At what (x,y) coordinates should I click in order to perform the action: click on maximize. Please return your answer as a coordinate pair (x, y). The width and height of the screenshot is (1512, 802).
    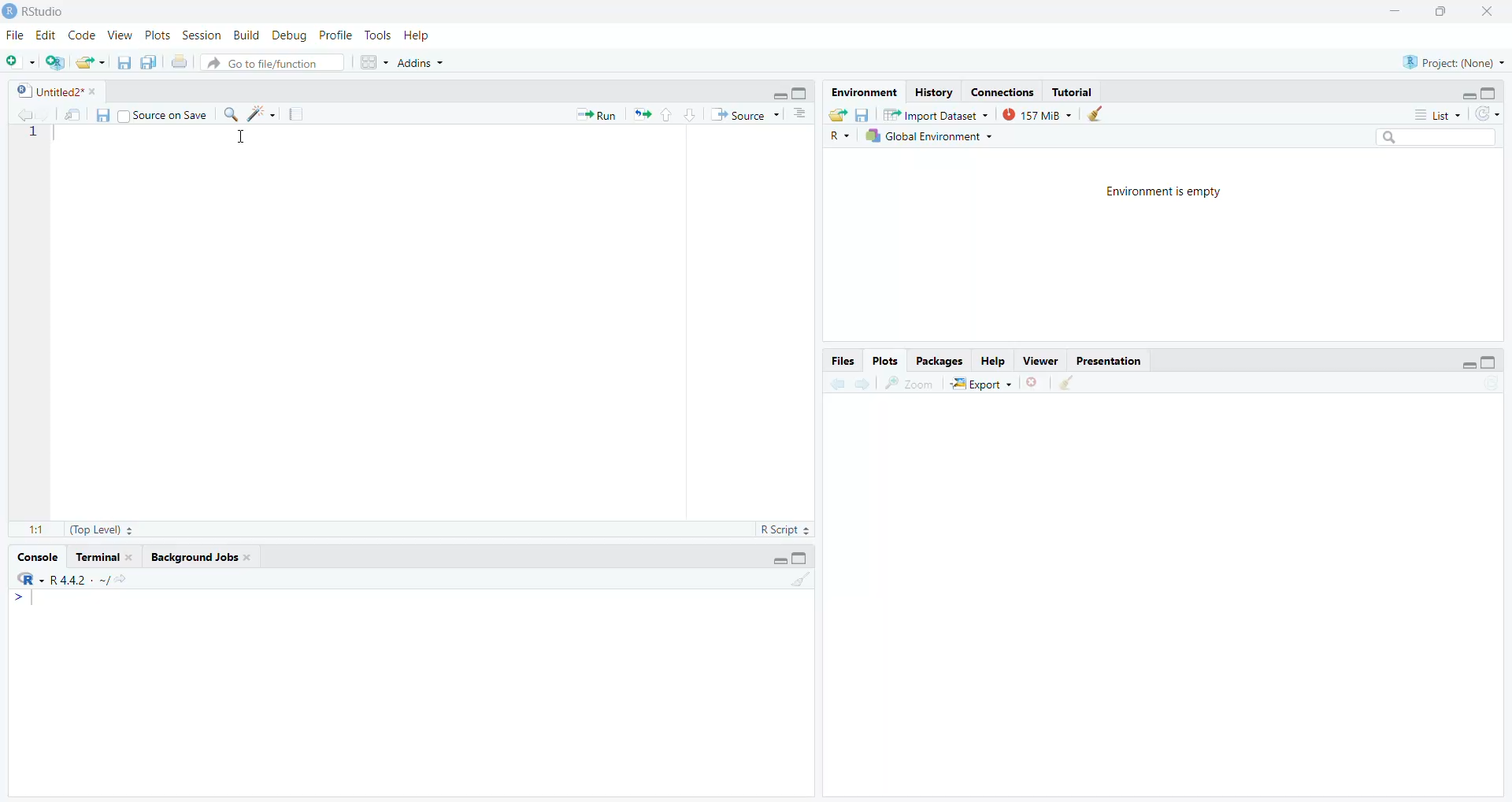
    Looking at the image, I should click on (1490, 92).